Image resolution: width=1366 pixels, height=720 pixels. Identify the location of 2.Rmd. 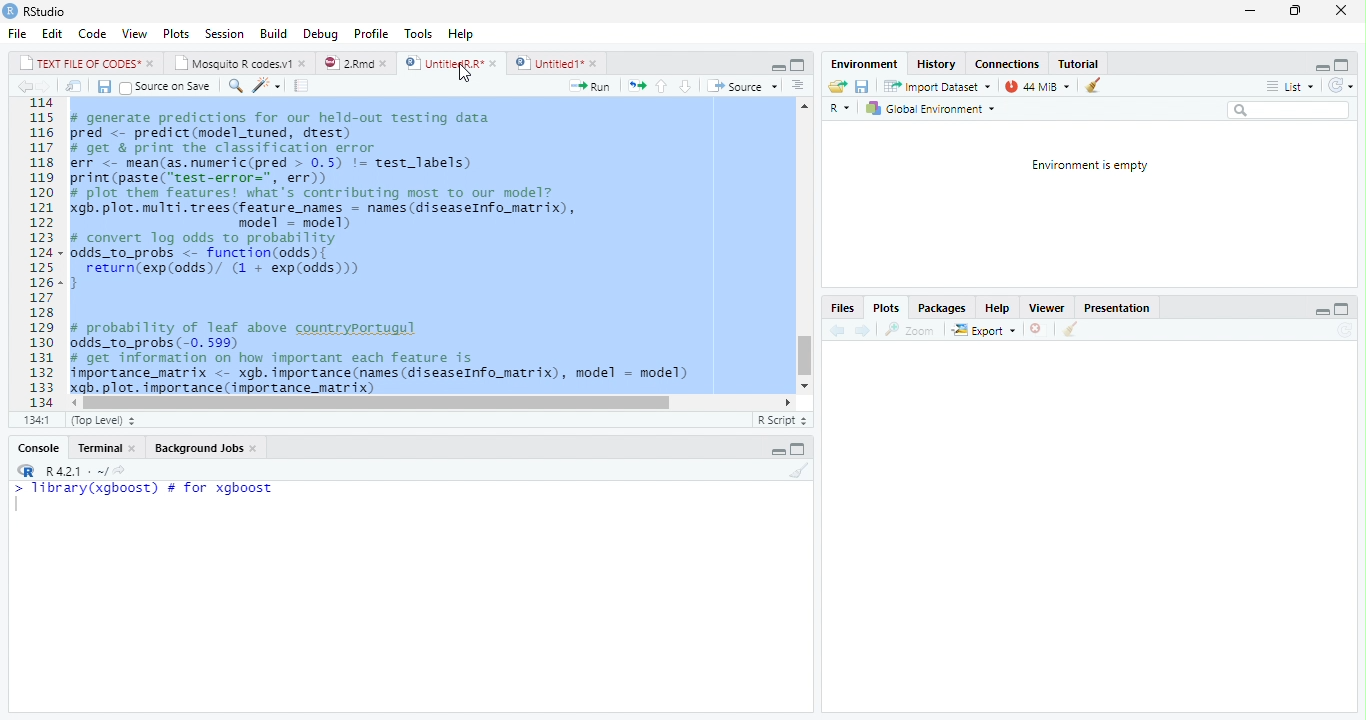
(356, 63).